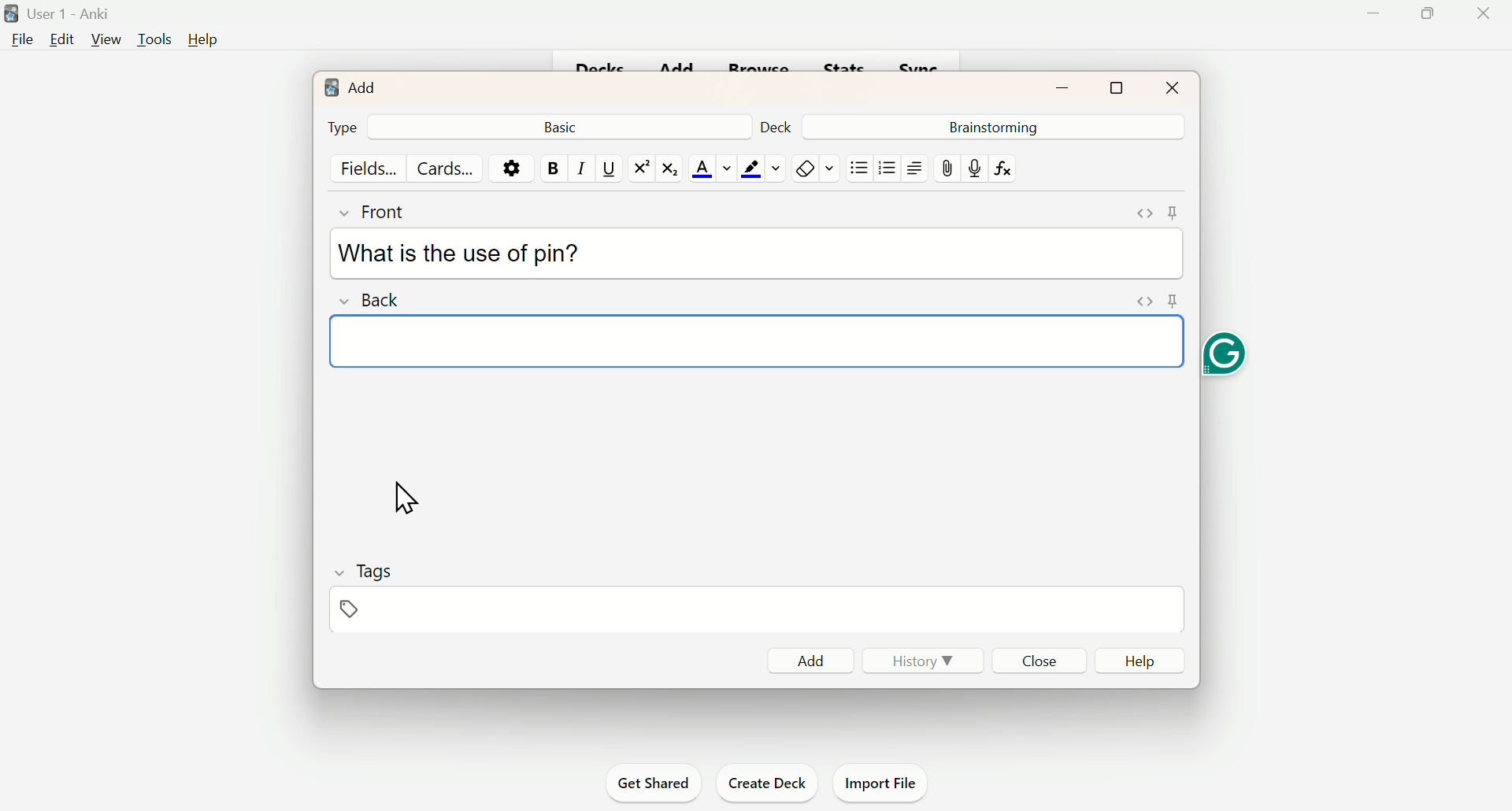 The width and height of the screenshot is (1512, 811). Describe the element at coordinates (511, 167) in the screenshot. I see `Options` at that location.